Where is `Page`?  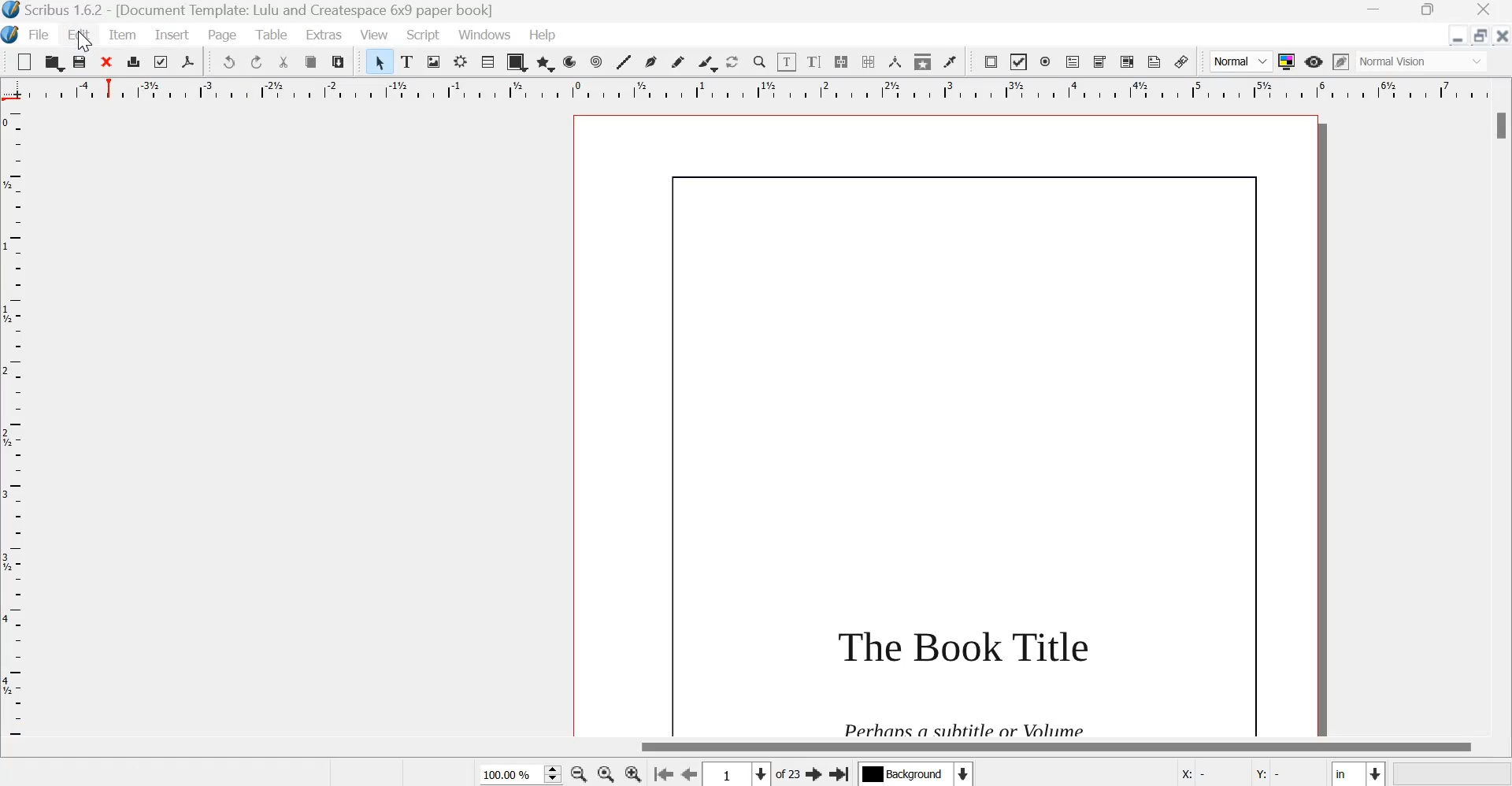
Page is located at coordinates (222, 35).